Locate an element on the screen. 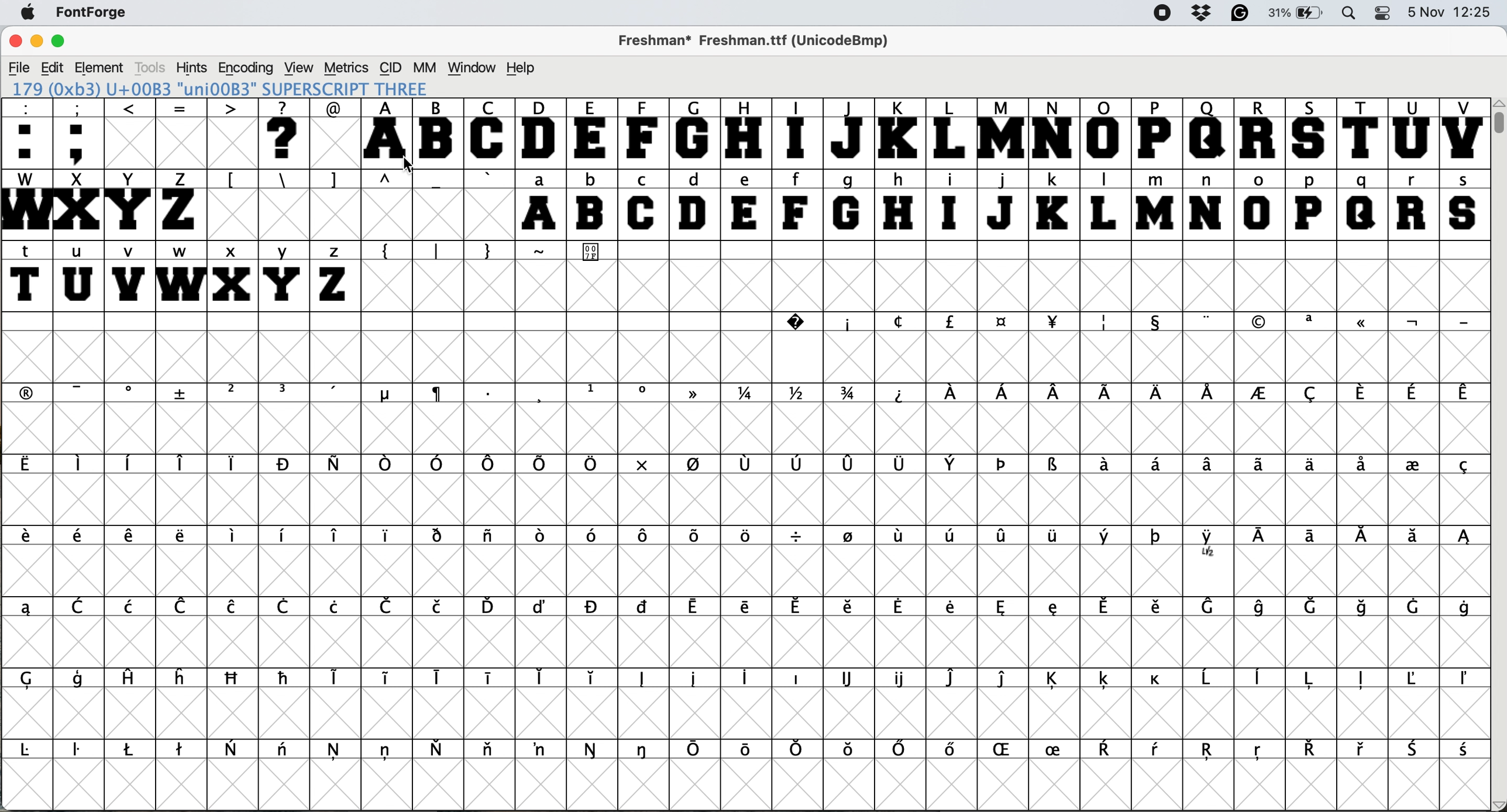  symbol is located at coordinates (1312, 322).